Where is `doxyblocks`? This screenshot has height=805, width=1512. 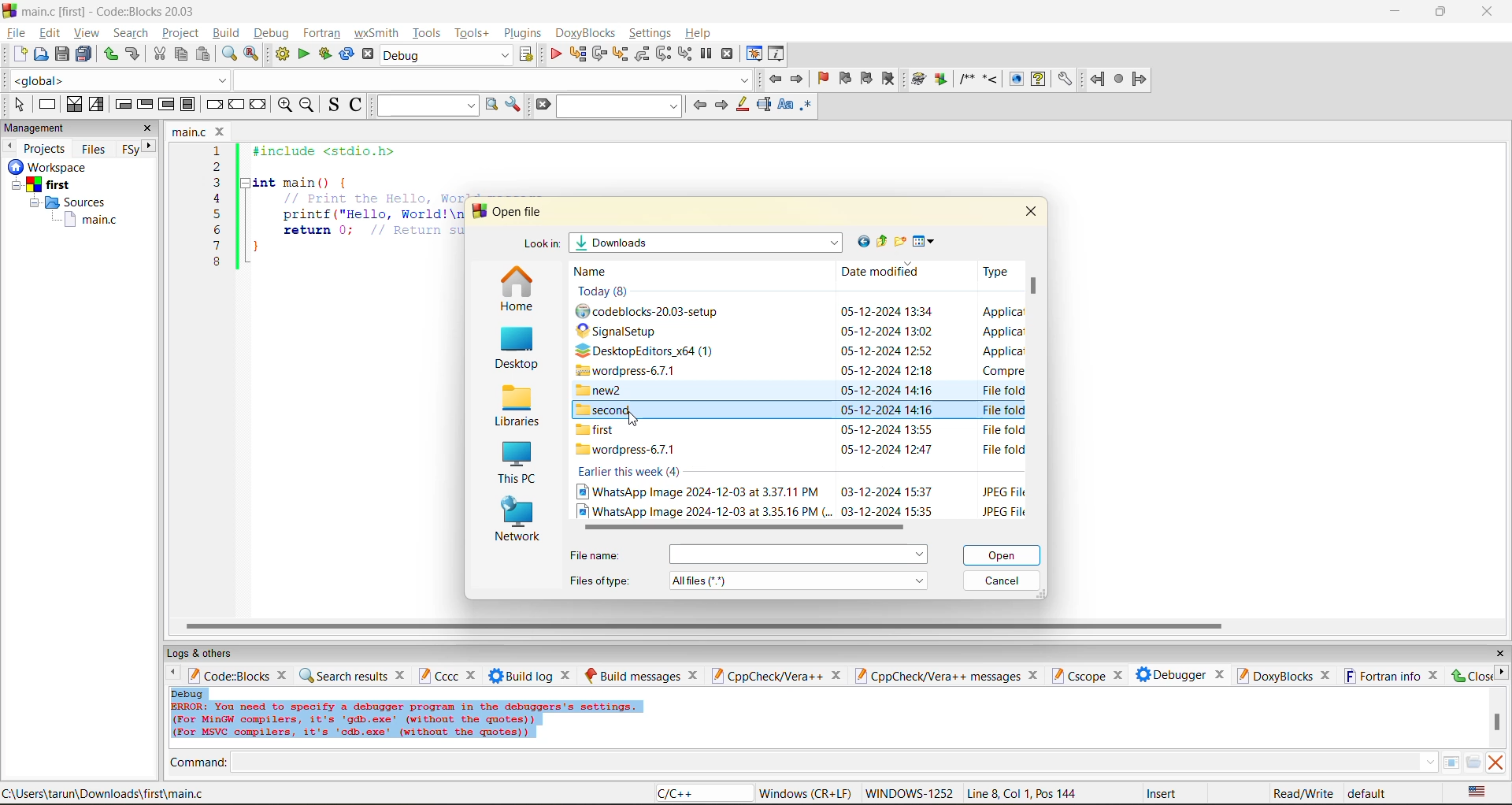 doxyblocks is located at coordinates (1273, 675).